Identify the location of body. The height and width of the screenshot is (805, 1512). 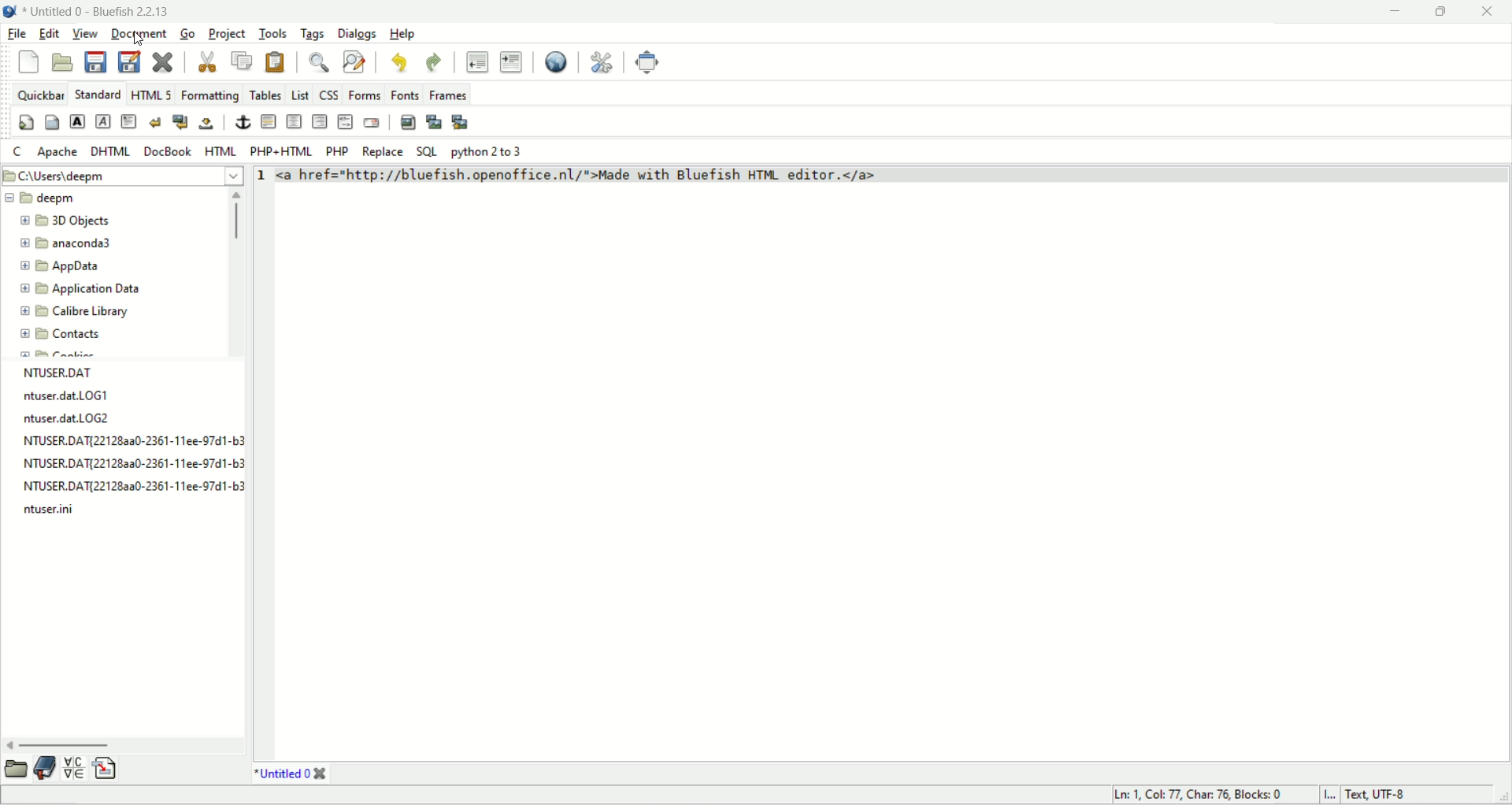
(52, 124).